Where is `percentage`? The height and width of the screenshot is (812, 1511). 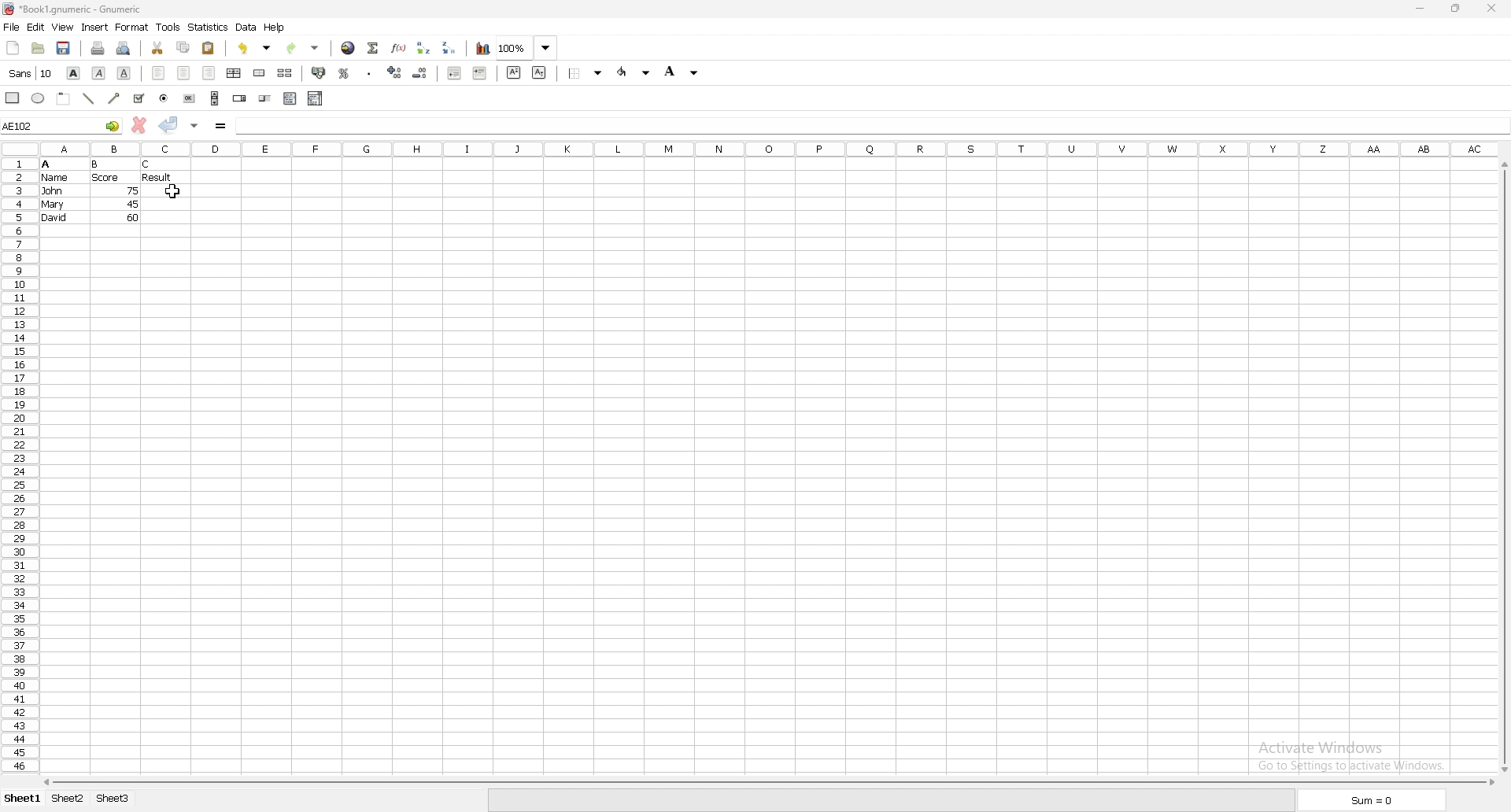 percentage is located at coordinates (345, 74).